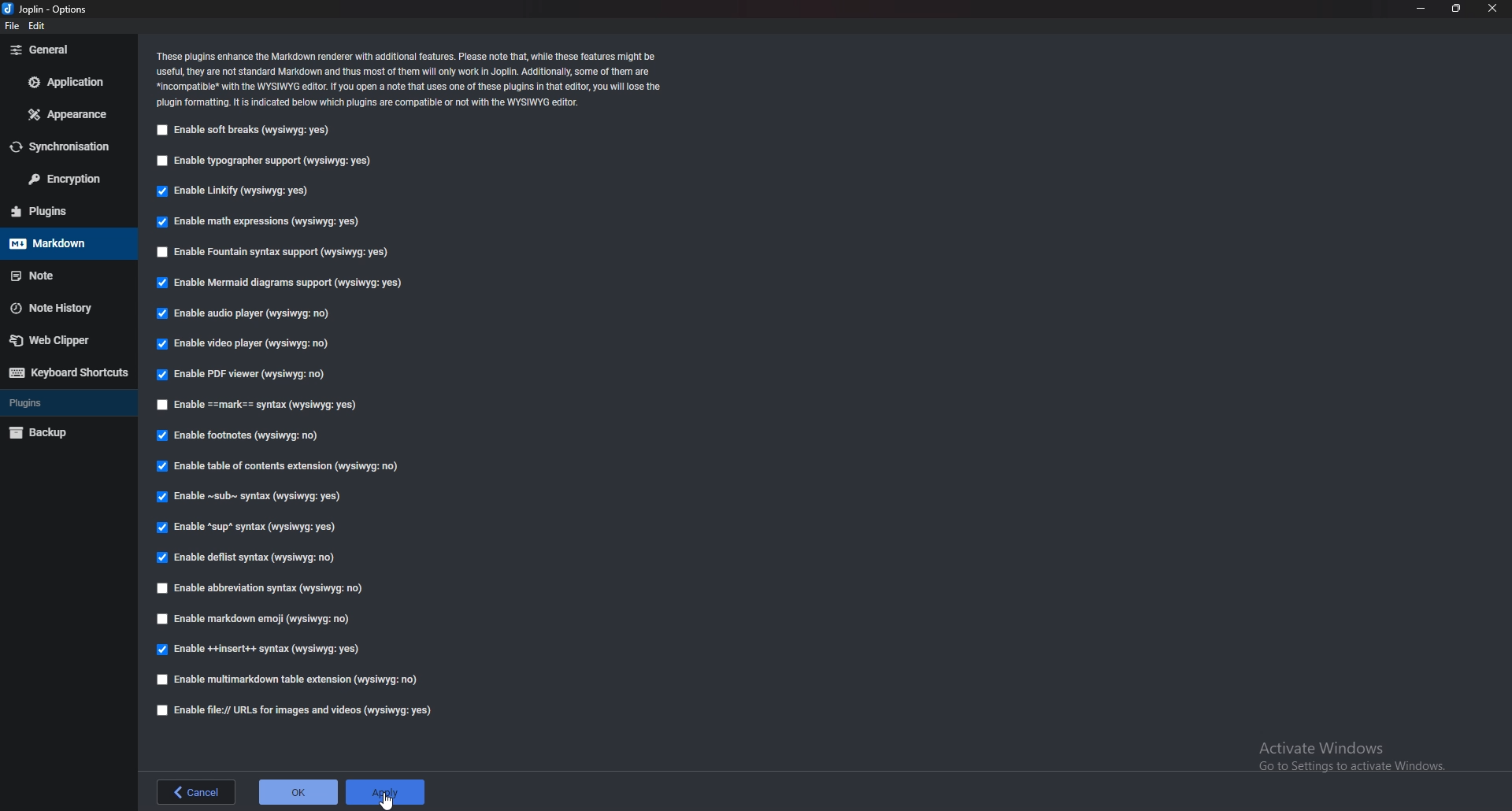 This screenshot has height=811, width=1512. I want to click on options, so click(49, 10).